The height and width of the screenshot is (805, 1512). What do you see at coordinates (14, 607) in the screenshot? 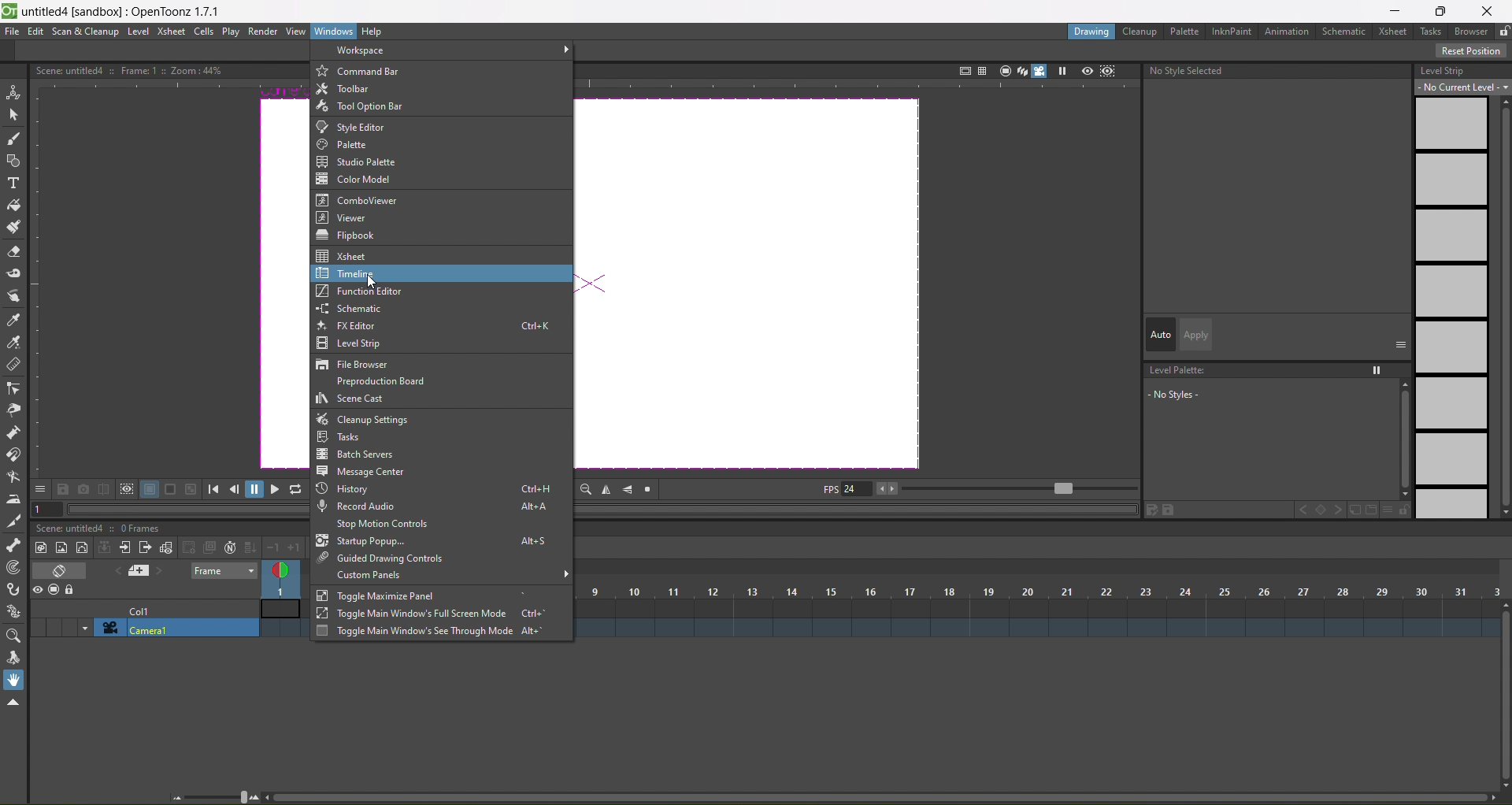
I see `plastic tool` at bounding box center [14, 607].